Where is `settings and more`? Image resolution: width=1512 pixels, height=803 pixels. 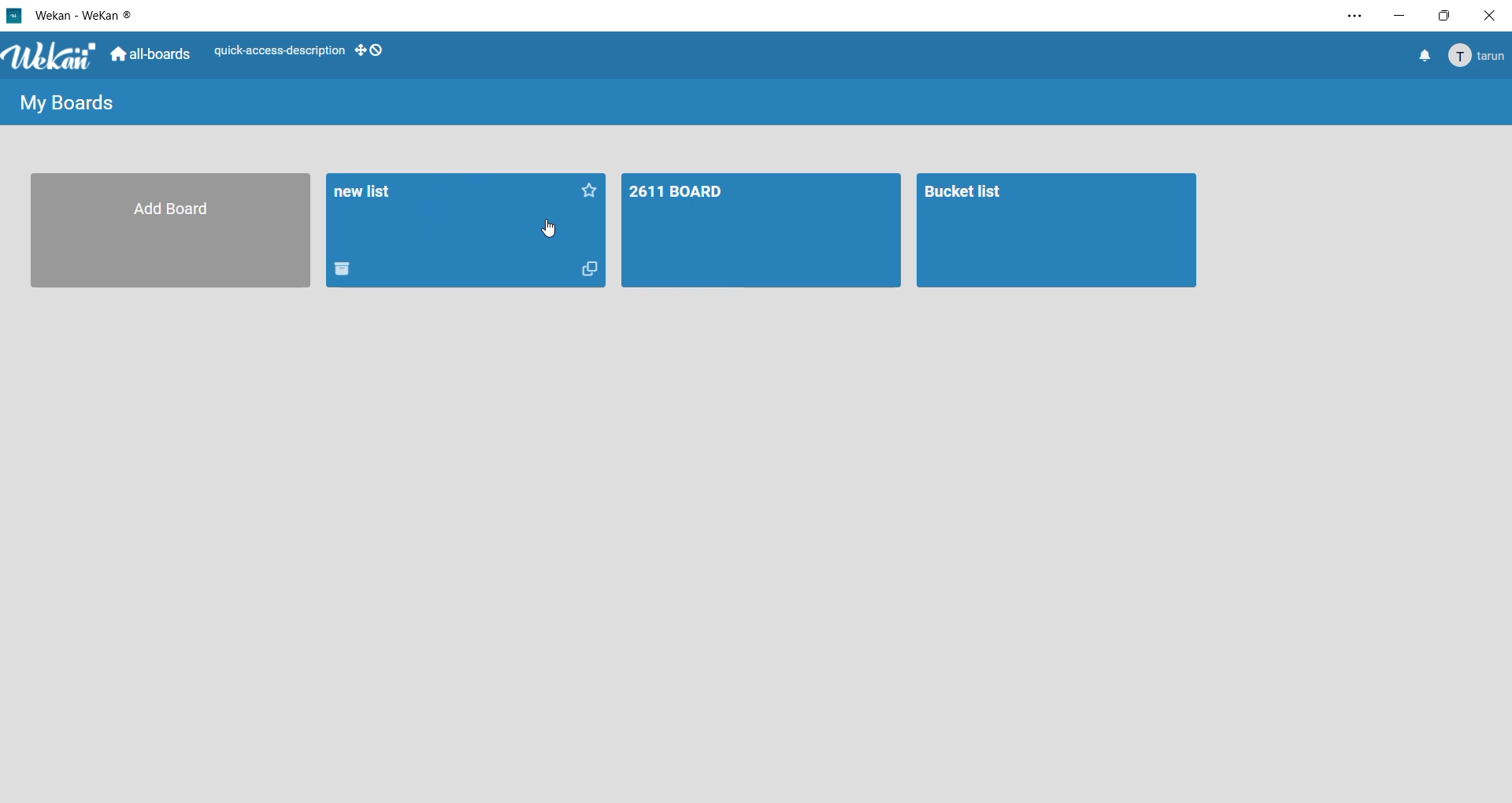 settings and more is located at coordinates (1351, 17).